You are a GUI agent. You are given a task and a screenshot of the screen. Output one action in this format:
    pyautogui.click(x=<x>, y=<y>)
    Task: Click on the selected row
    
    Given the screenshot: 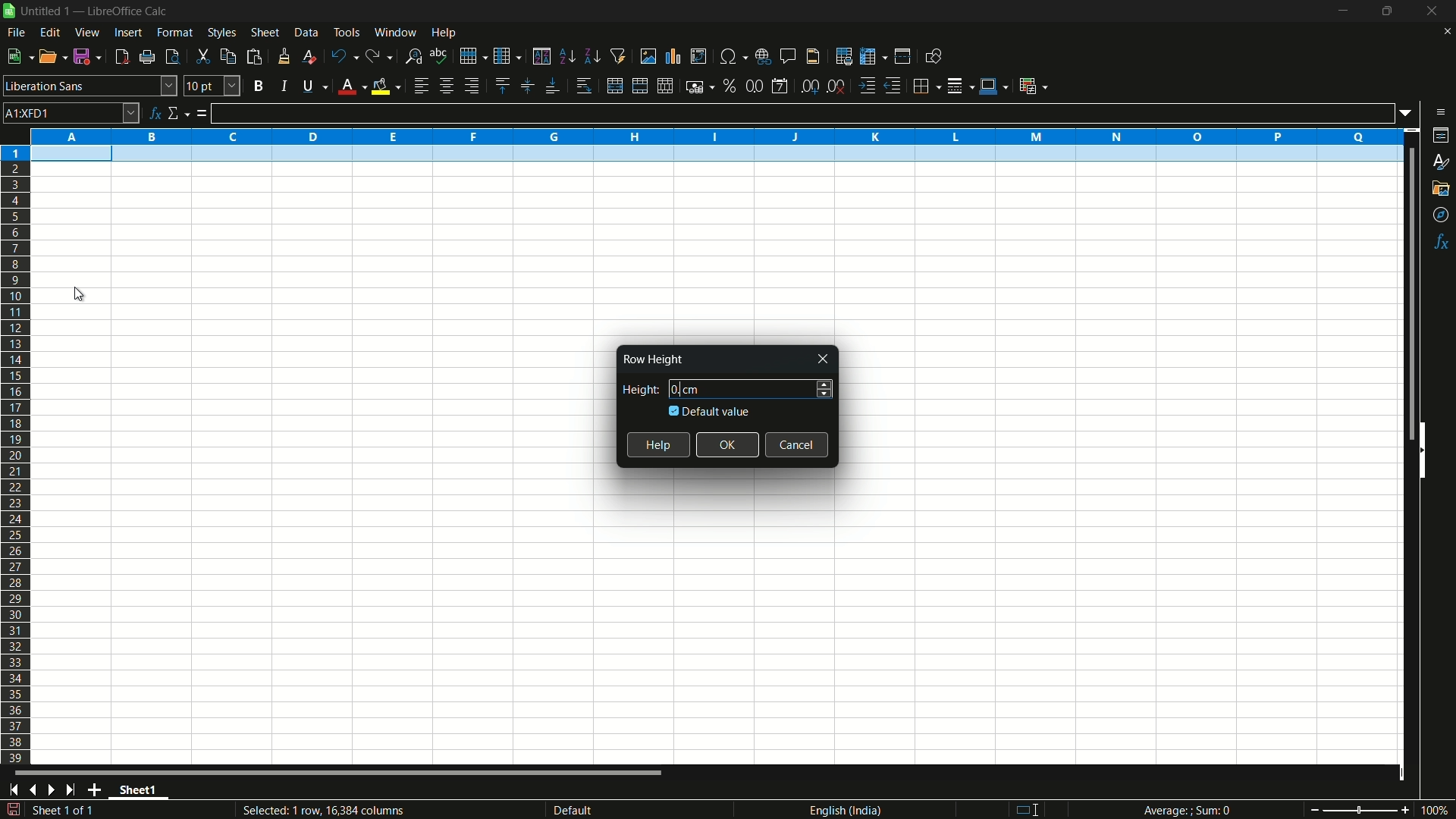 What is the action you would take?
    pyautogui.click(x=711, y=155)
    